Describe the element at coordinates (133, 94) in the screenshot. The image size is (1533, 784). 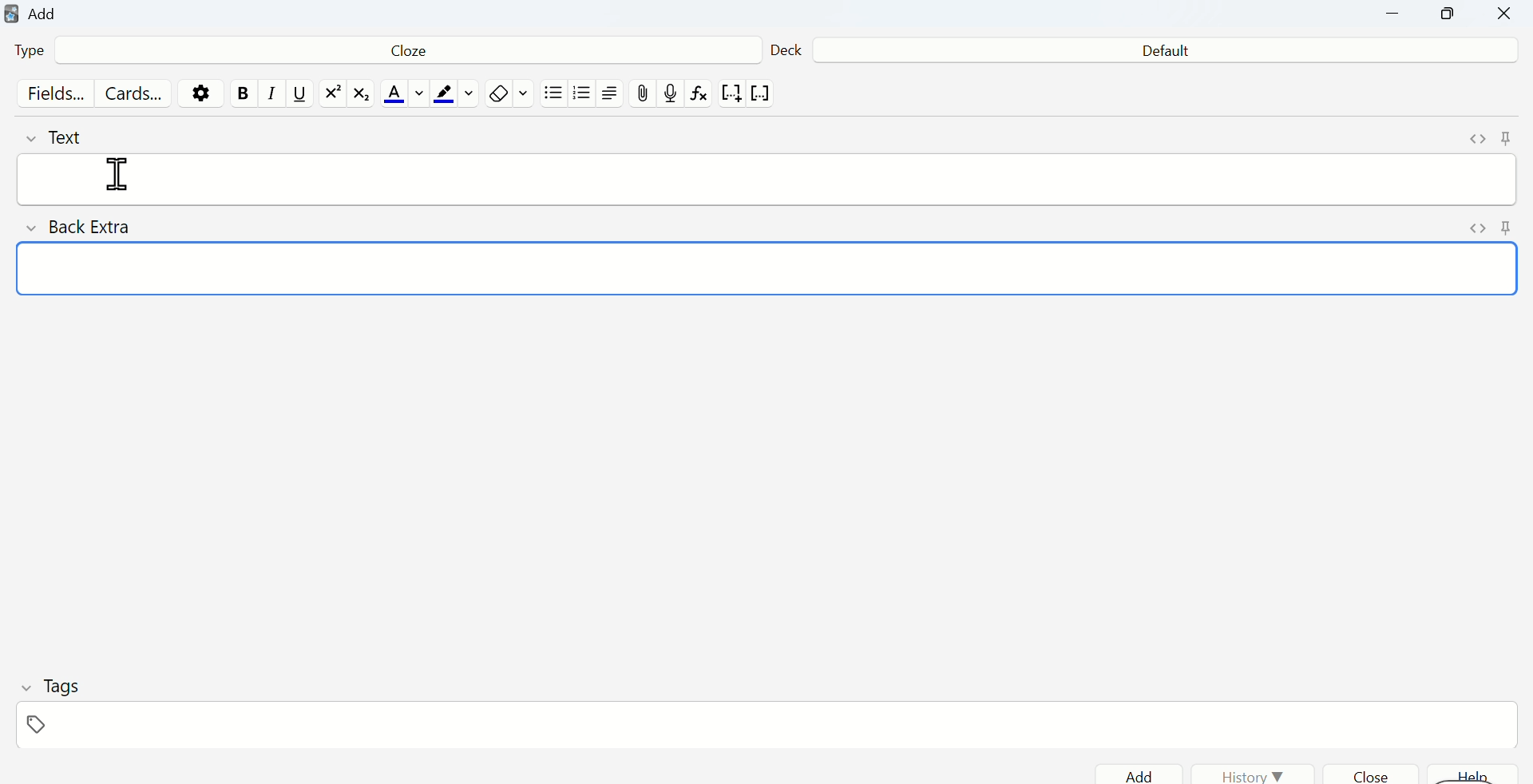
I see `Cards` at that location.